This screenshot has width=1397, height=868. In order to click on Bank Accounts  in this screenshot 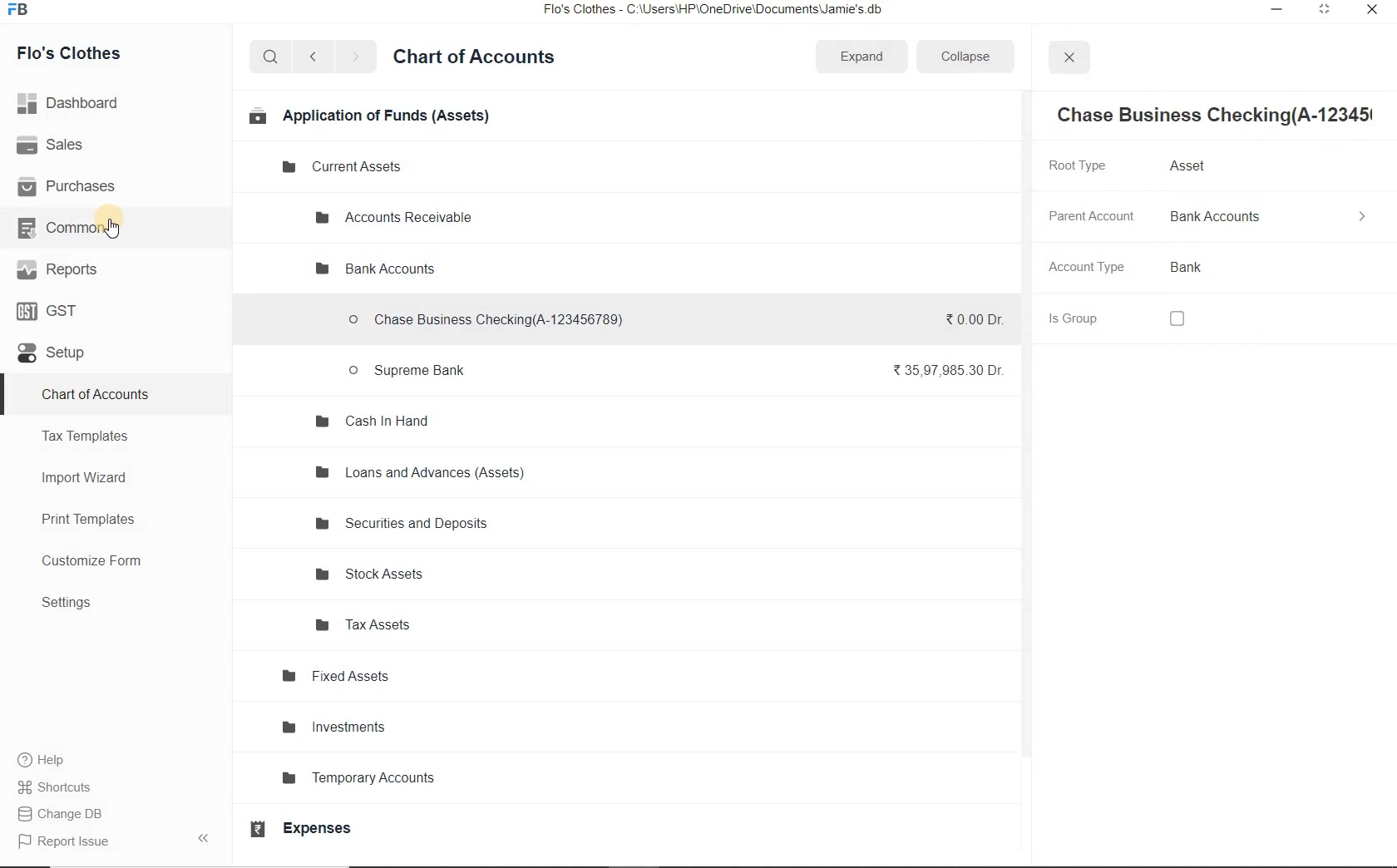, I will do `click(1266, 217)`.